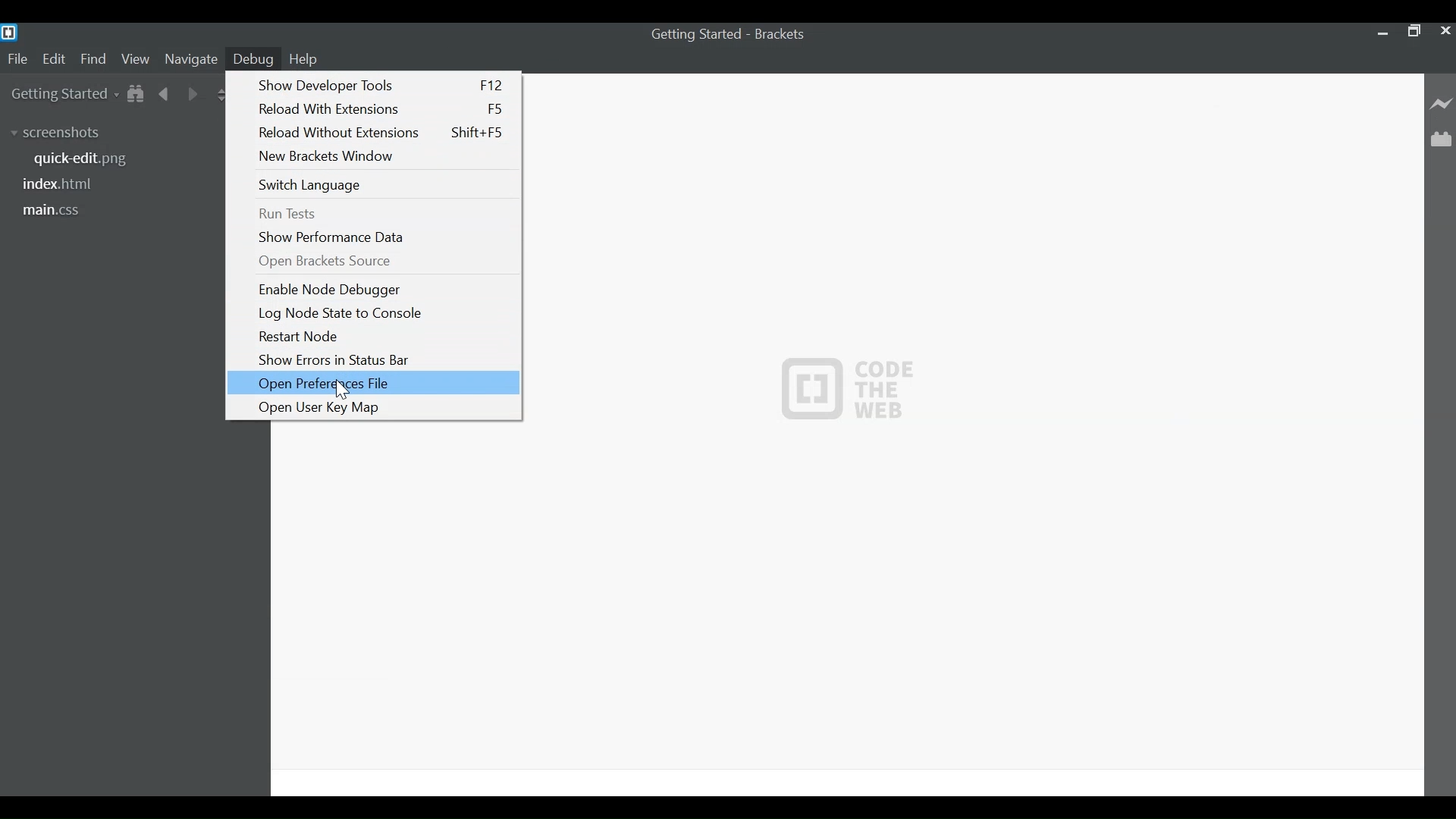 The width and height of the screenshot is (1456, 819). I want to click on Brackets Desktop Icon , so click(9, 32).